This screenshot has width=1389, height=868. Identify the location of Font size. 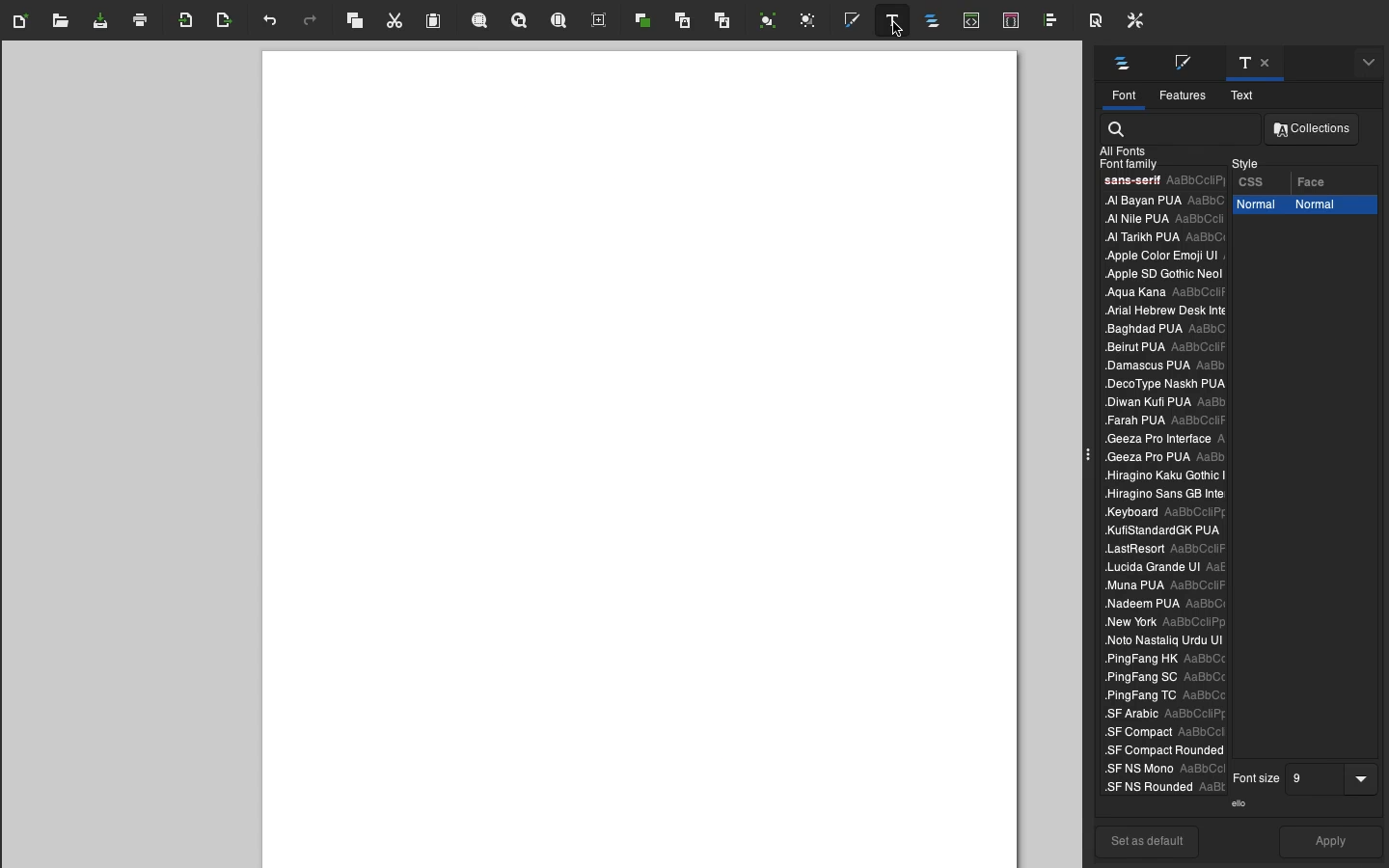
(1257, 777).